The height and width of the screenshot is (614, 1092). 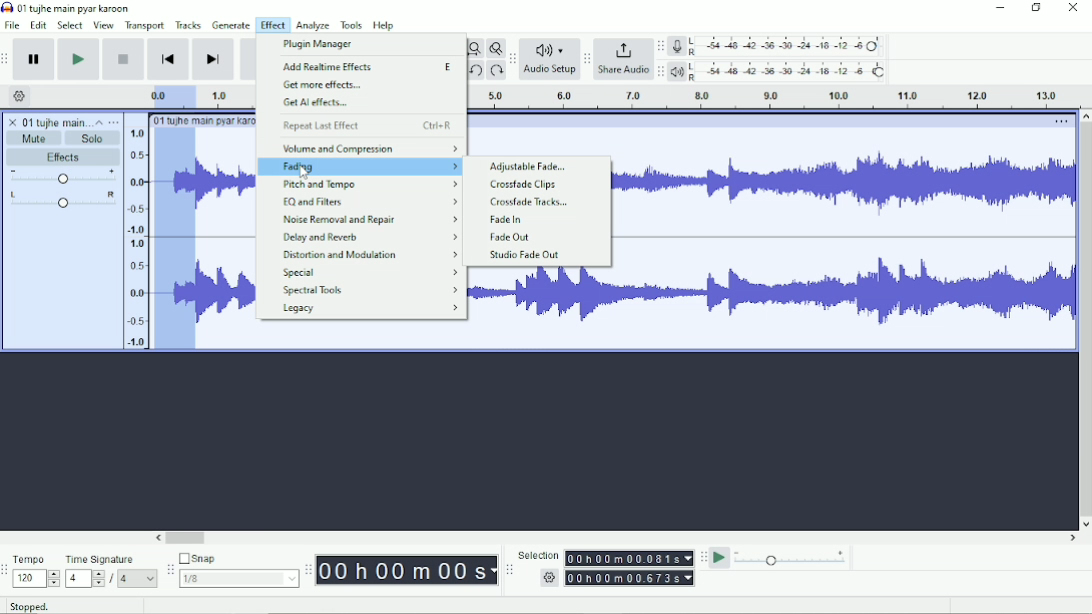 I want to click on Tempo Range, so click(x=36, y=578).